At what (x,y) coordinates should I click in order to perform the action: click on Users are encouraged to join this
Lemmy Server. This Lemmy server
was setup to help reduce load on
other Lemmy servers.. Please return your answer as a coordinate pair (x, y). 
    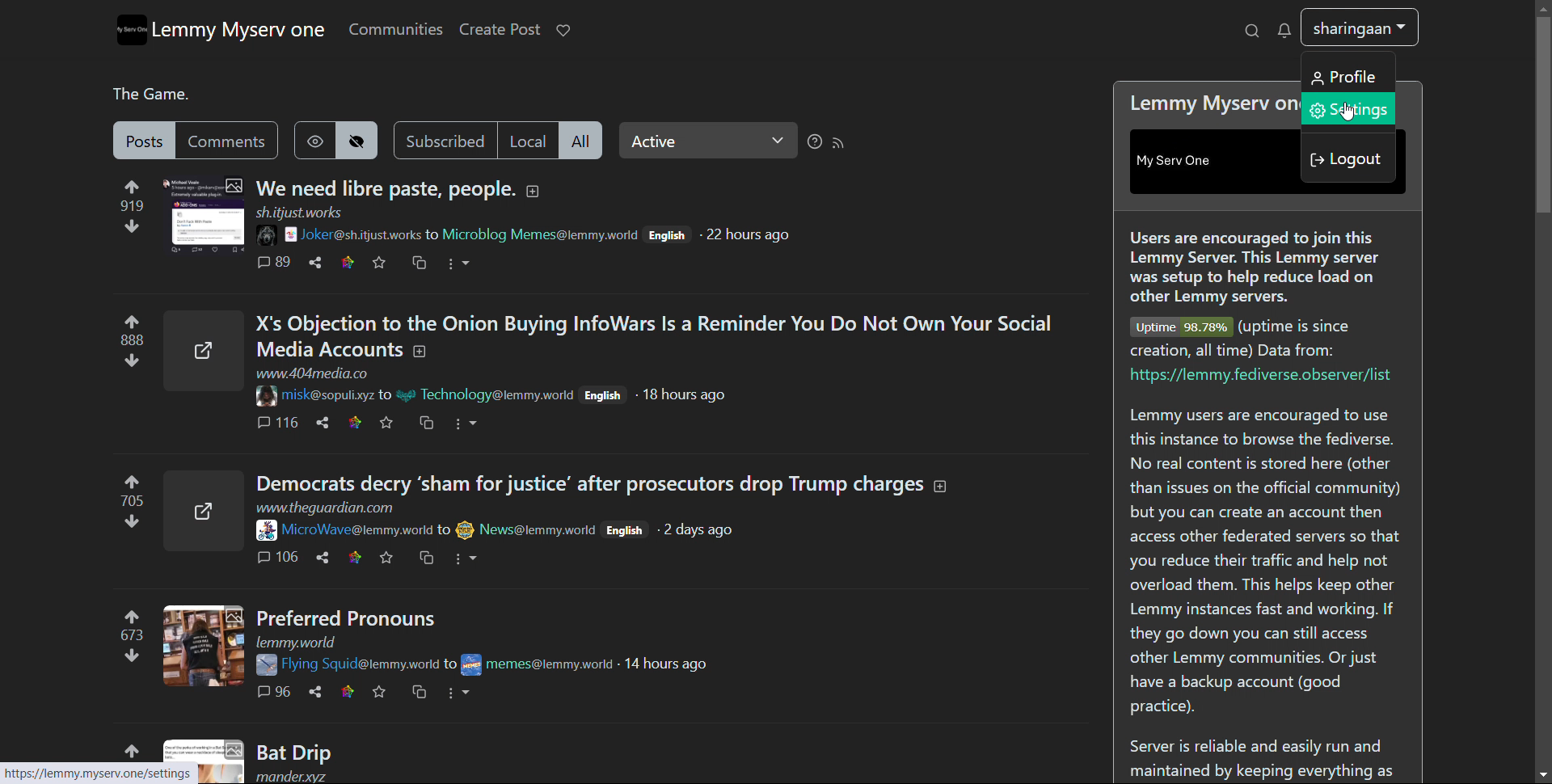
    Looking at the image, I should click on (1259, 268).